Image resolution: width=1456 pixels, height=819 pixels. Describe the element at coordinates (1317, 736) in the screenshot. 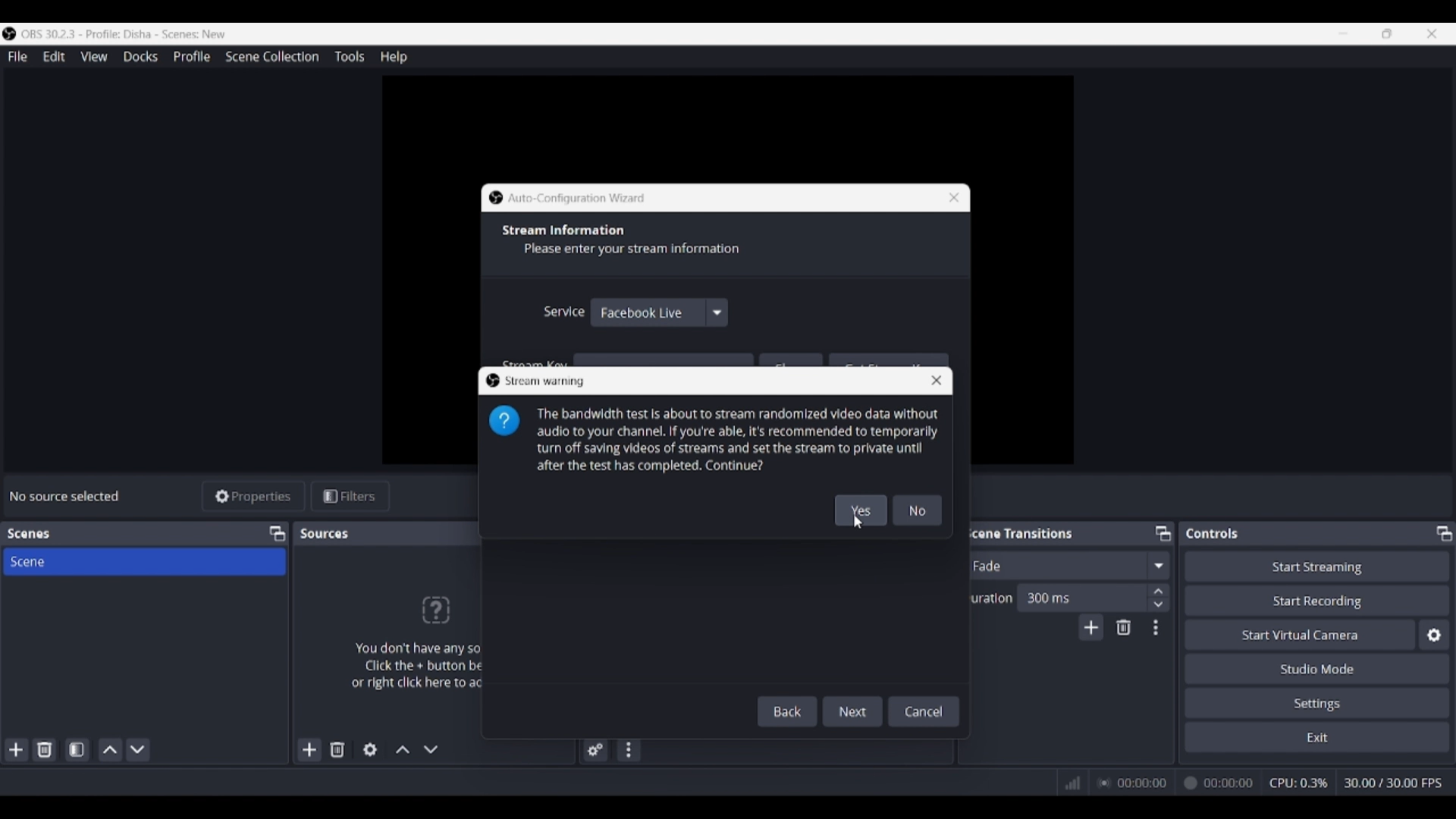

I see `Exit` at that location.